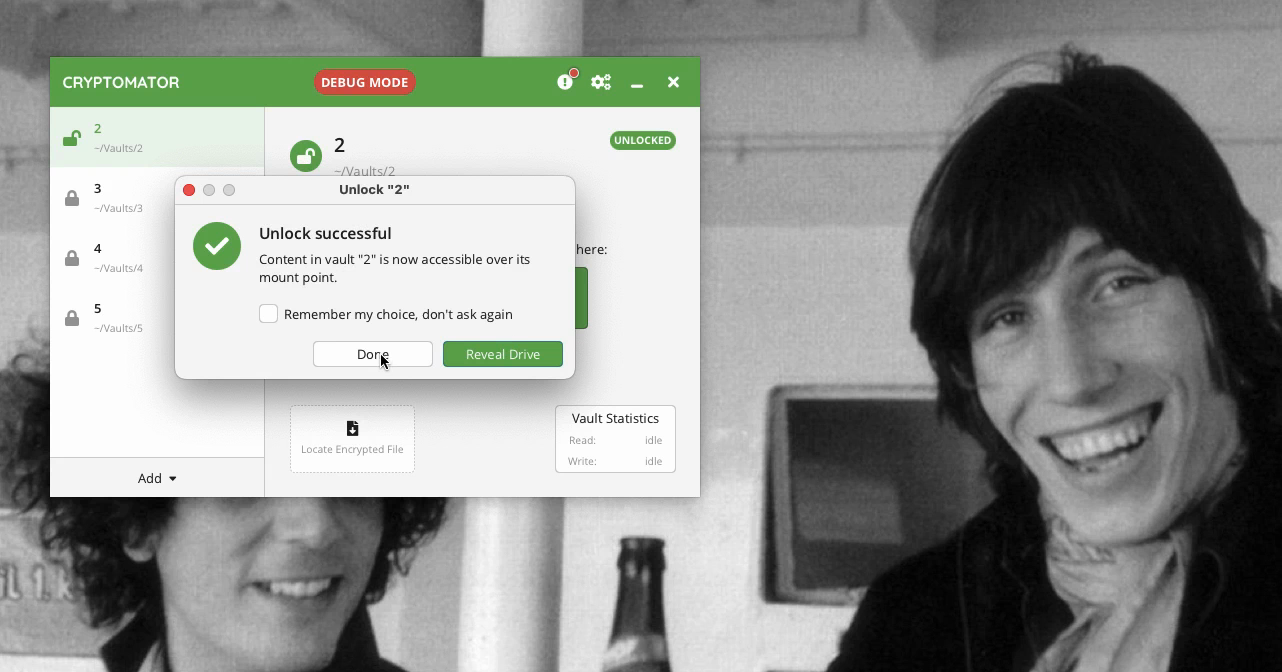 This screenshot has width=1282, height=672. I want to click on Reveal Drive, so click(504, 355).